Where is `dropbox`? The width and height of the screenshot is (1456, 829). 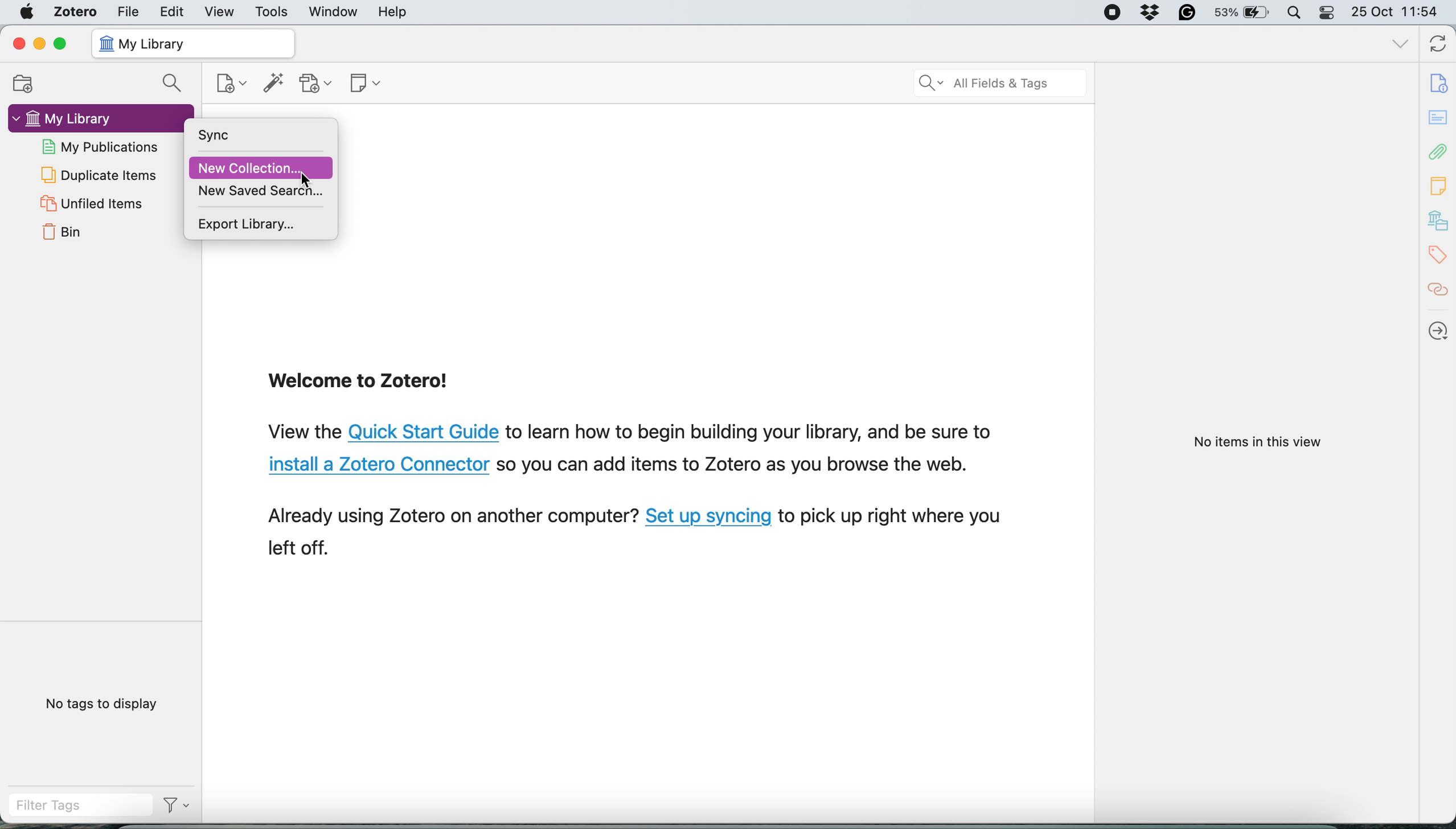
dropbox is located at coordinates (1150, 13).